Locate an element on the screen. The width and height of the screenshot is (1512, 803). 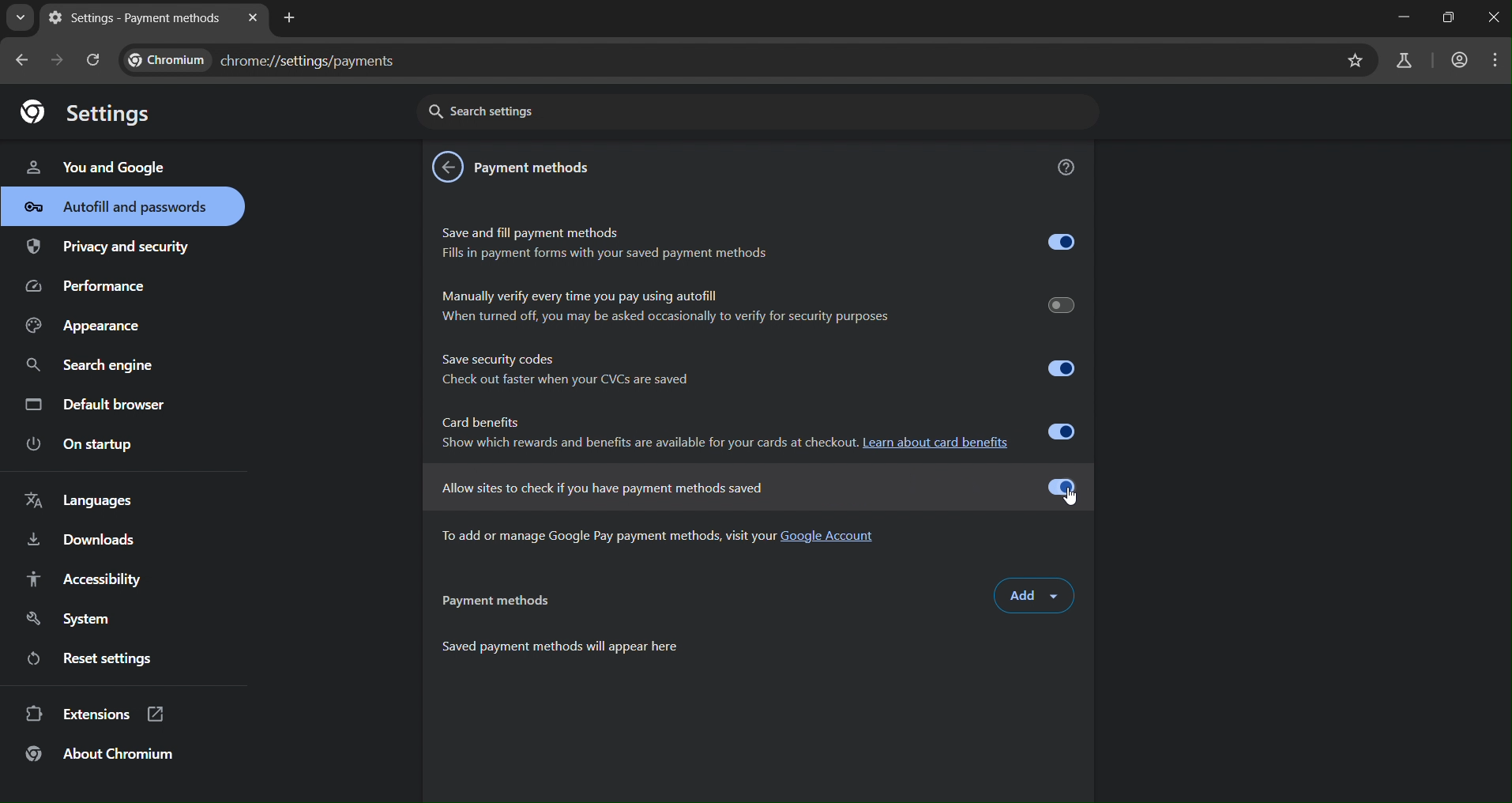
get help is located at coordinates (1066, 167).